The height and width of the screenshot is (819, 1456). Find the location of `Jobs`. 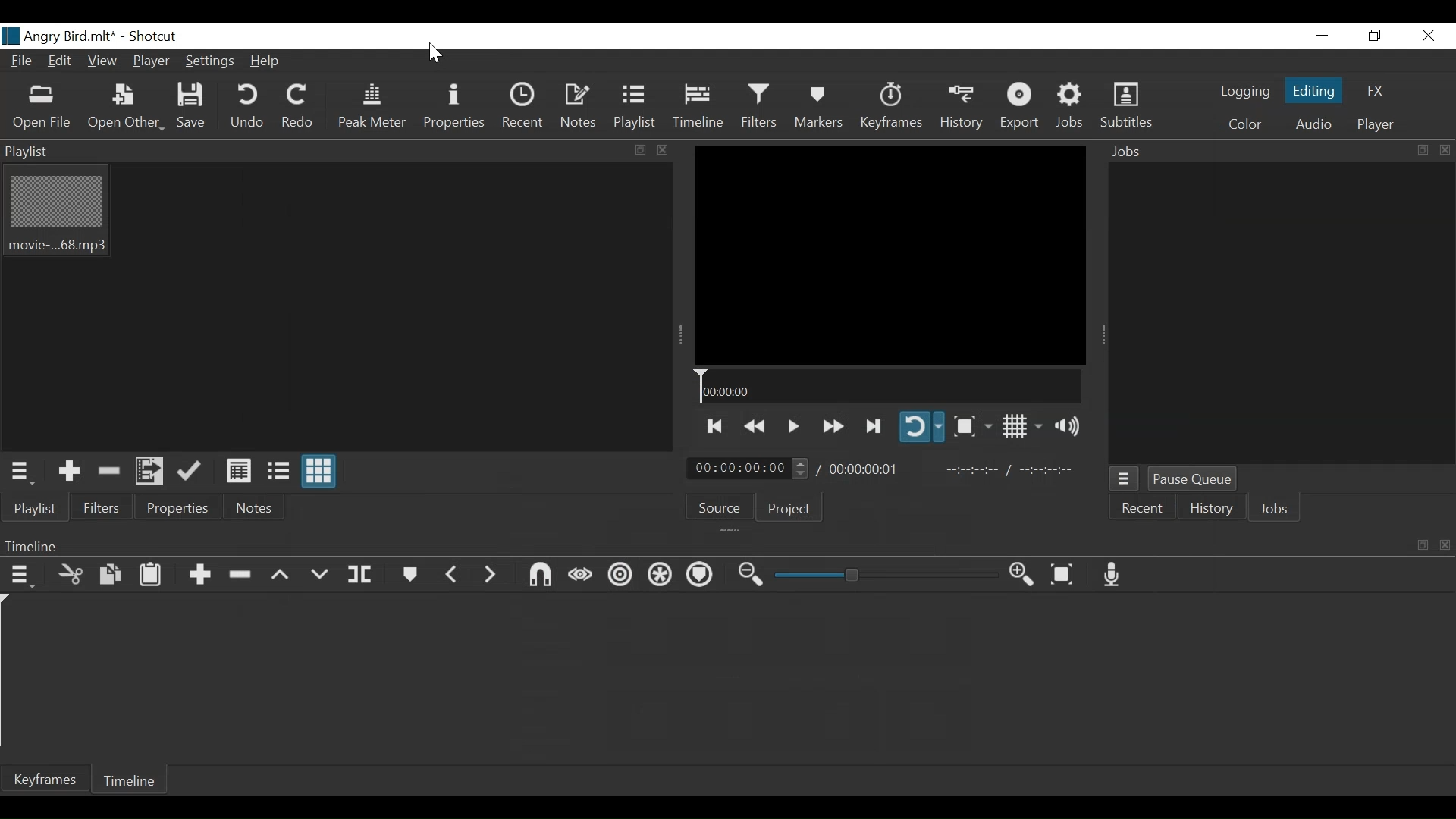

Jobs is located at coordinates (1278, 510).